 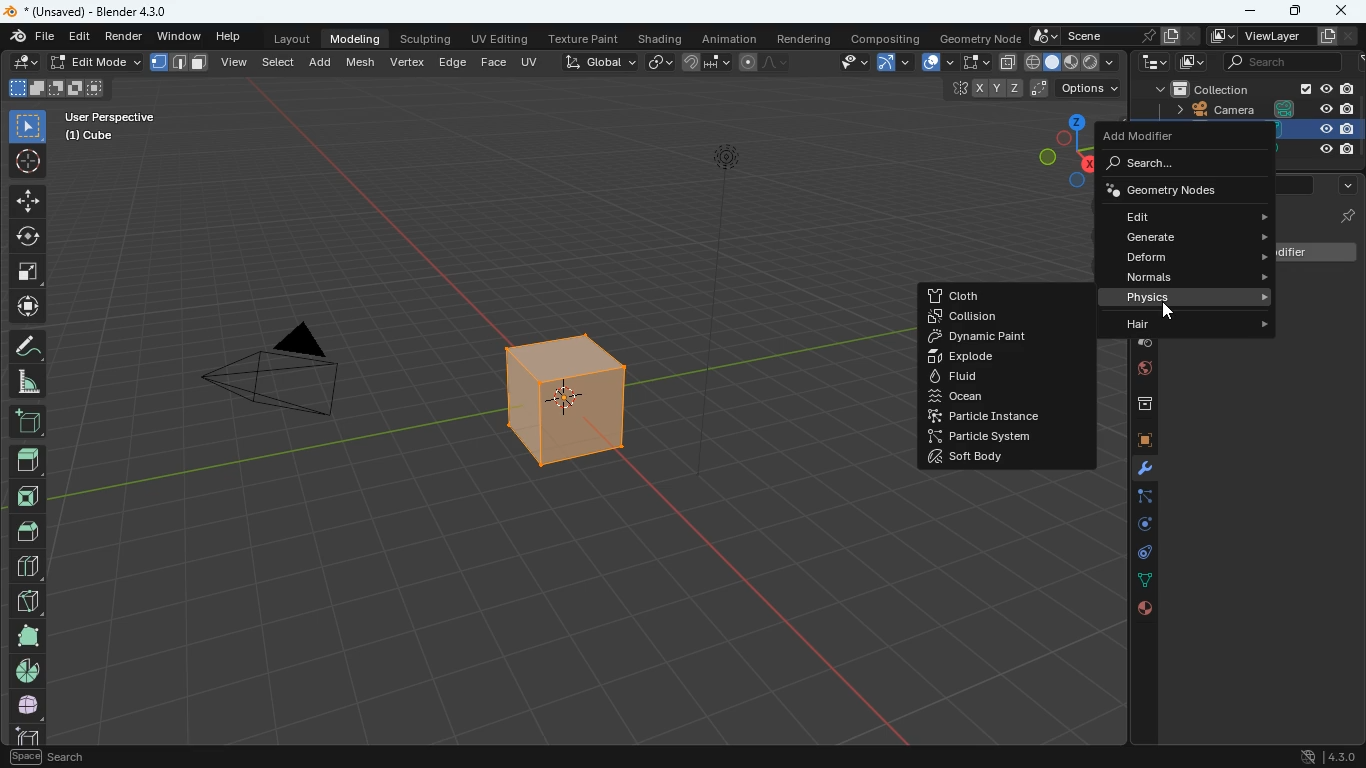 I want to click on cursor, so click(x=1170, y=313).